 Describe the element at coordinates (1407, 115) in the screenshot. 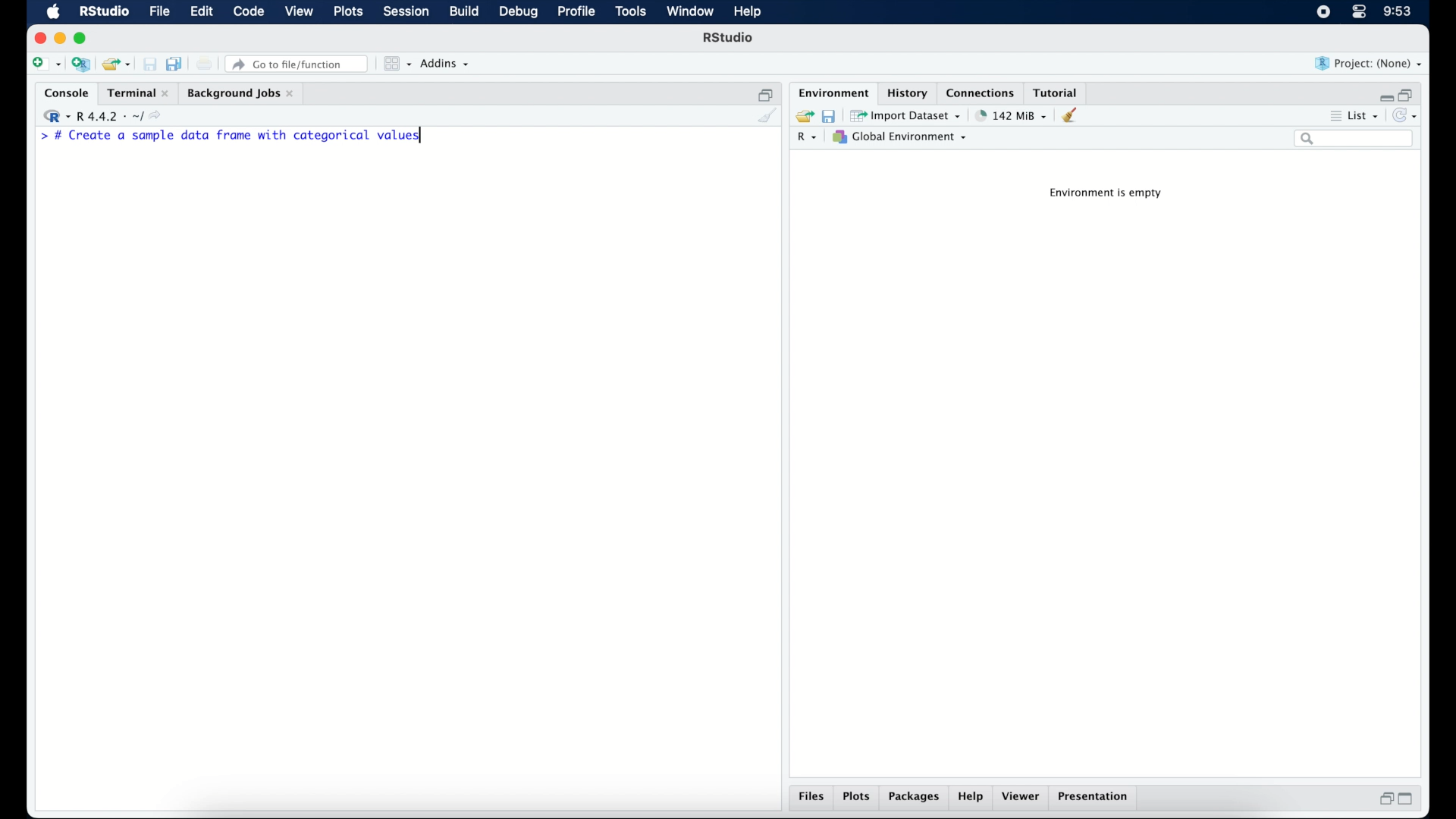

I see `refresh` at that location.